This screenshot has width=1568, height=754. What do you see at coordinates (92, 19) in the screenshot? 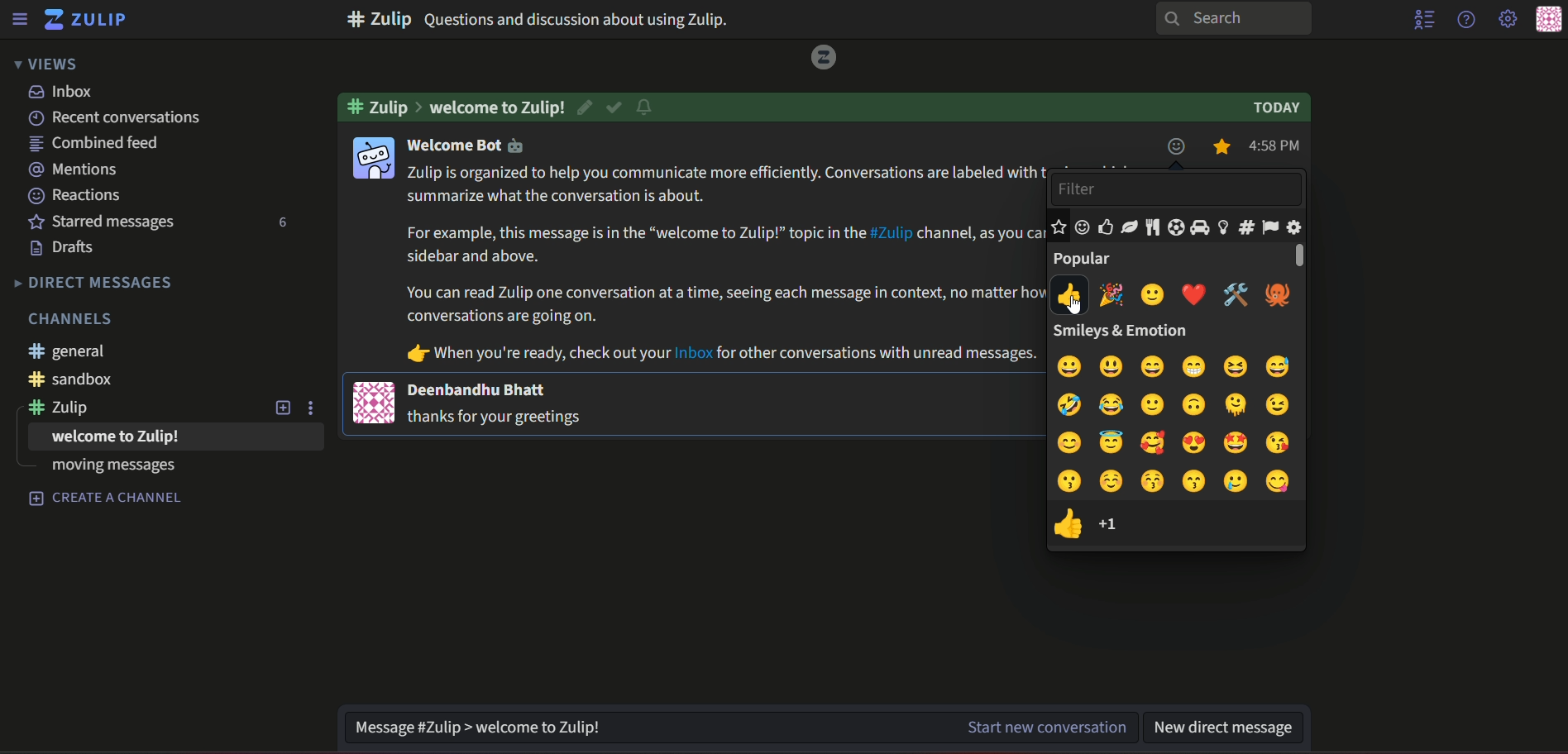
I see `title and logo` at bounding box center [92, 19].